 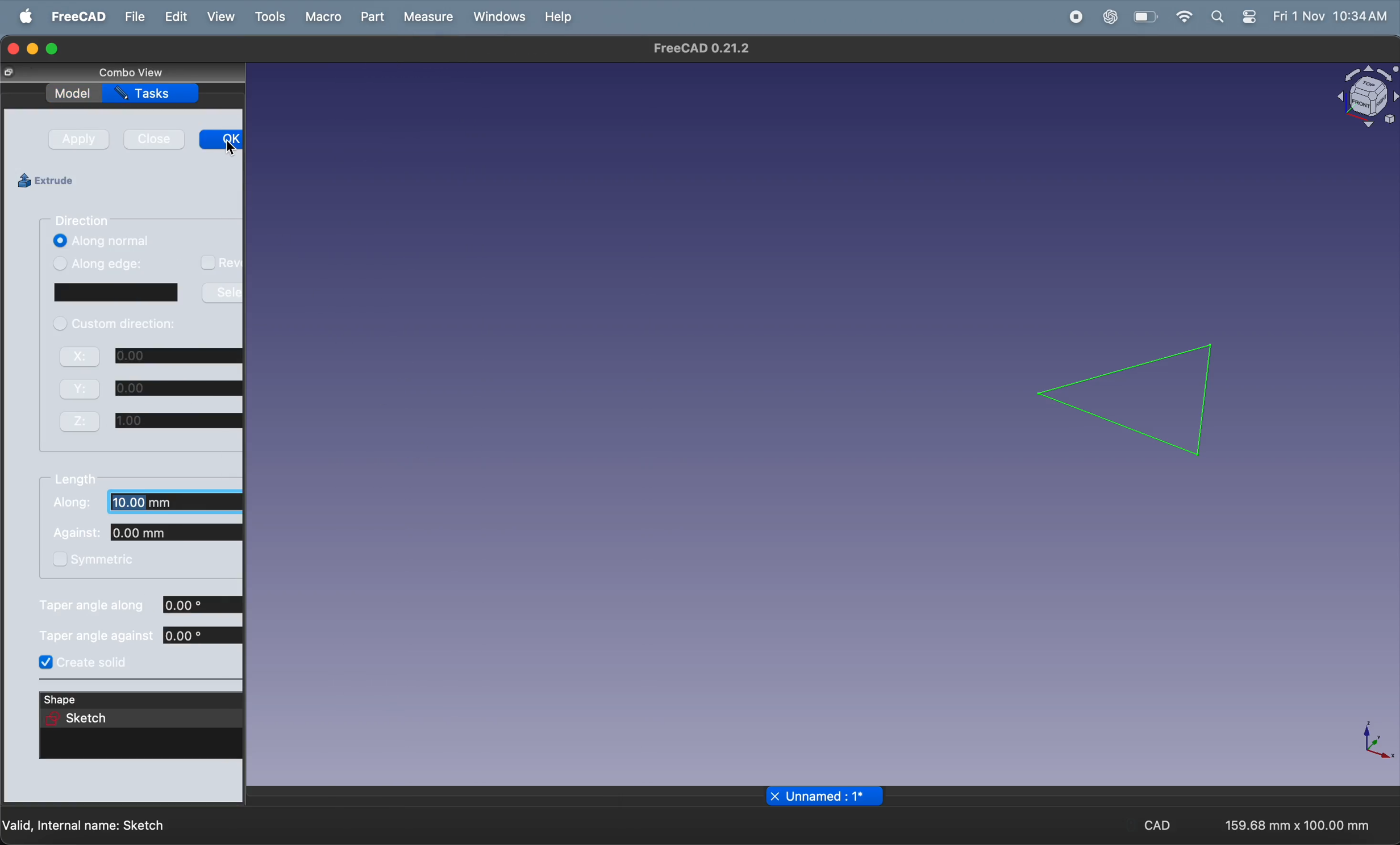 What do you see at coordinates (78, 16) in the screenshot?
I see `freecad` at bounding box center [78, 16].